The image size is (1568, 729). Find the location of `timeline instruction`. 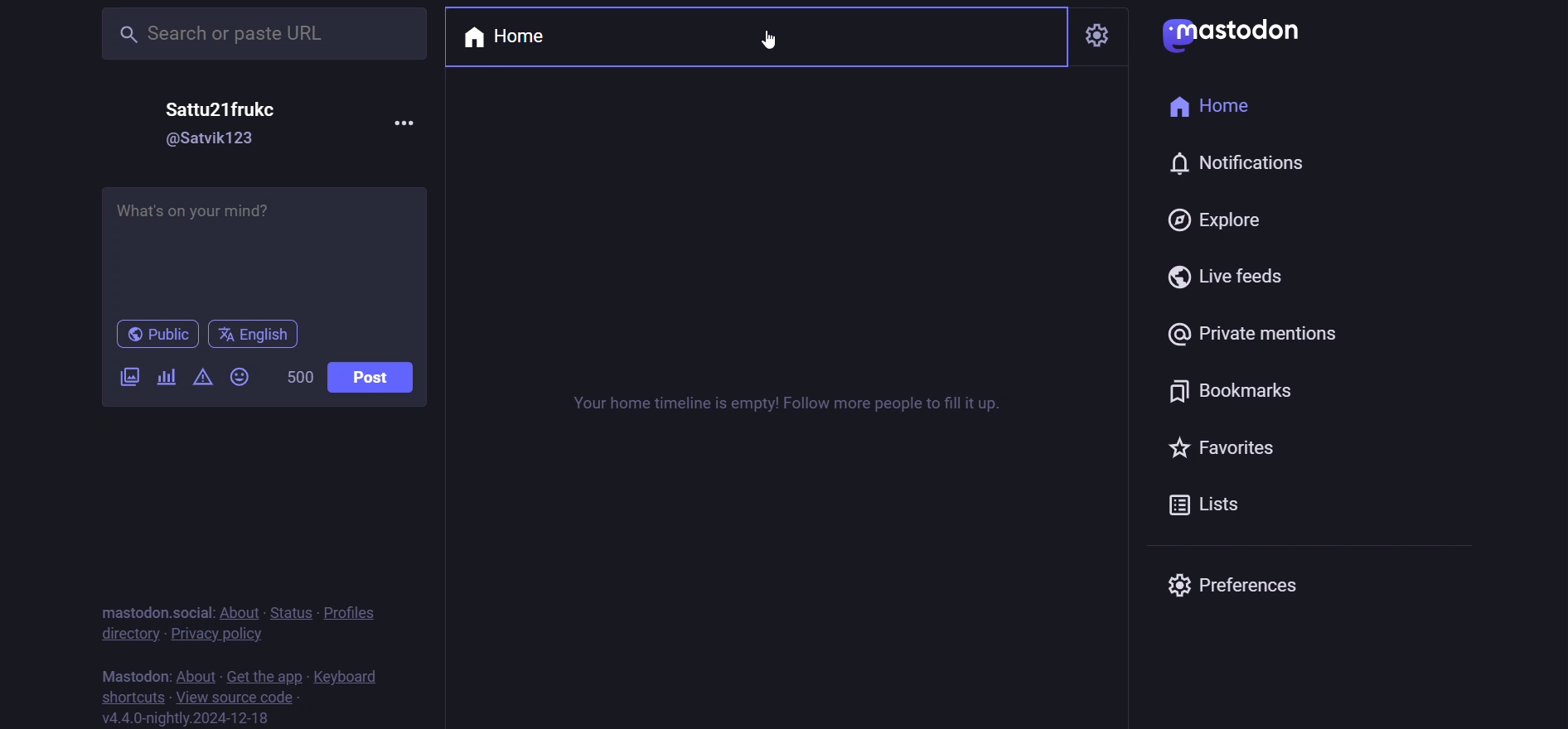

timeline instruction is located at coordinates (783, 408).